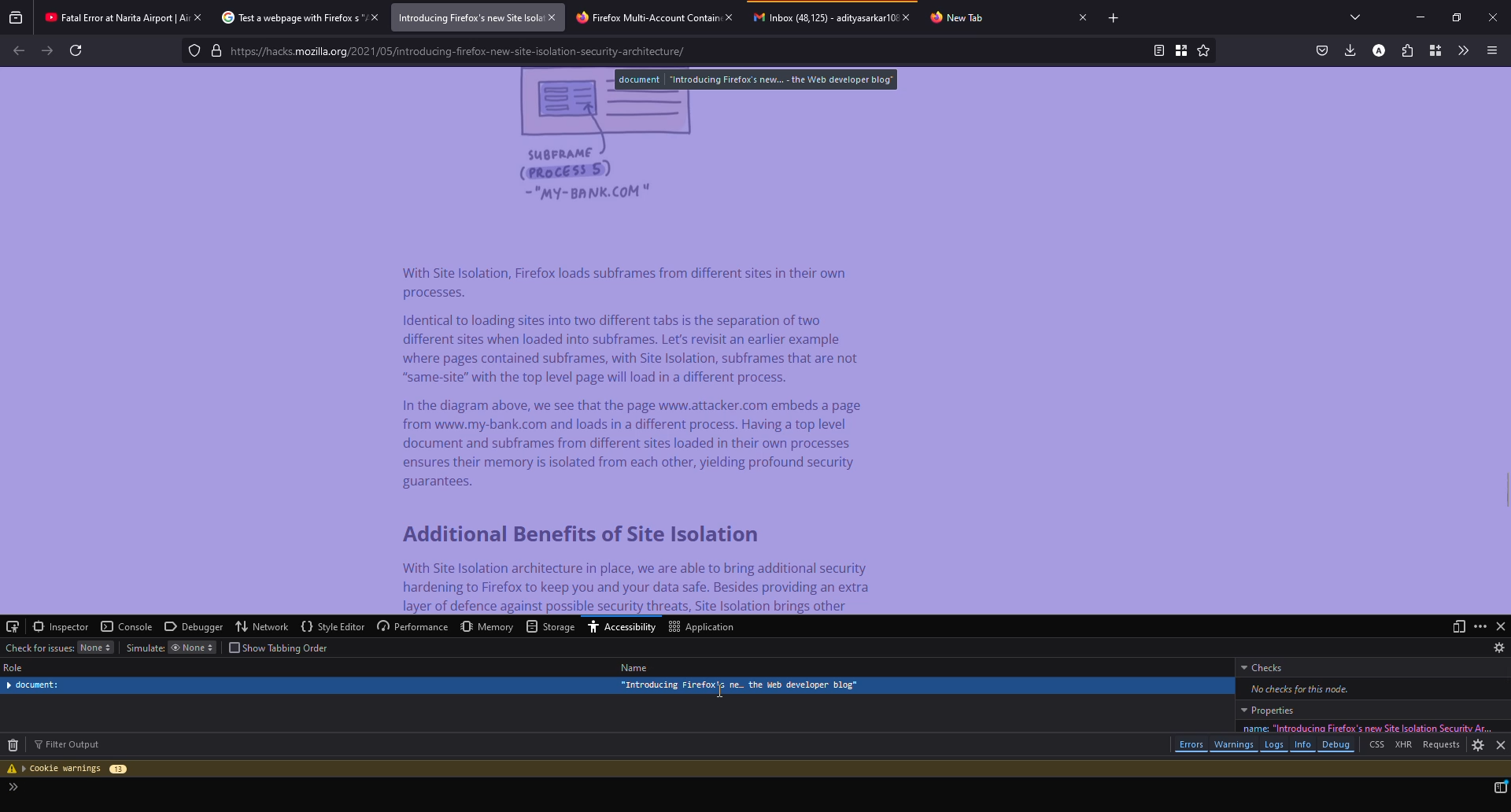  Describe the element at coordinates (192, 648) in the screenshot. I see `none` at that location.